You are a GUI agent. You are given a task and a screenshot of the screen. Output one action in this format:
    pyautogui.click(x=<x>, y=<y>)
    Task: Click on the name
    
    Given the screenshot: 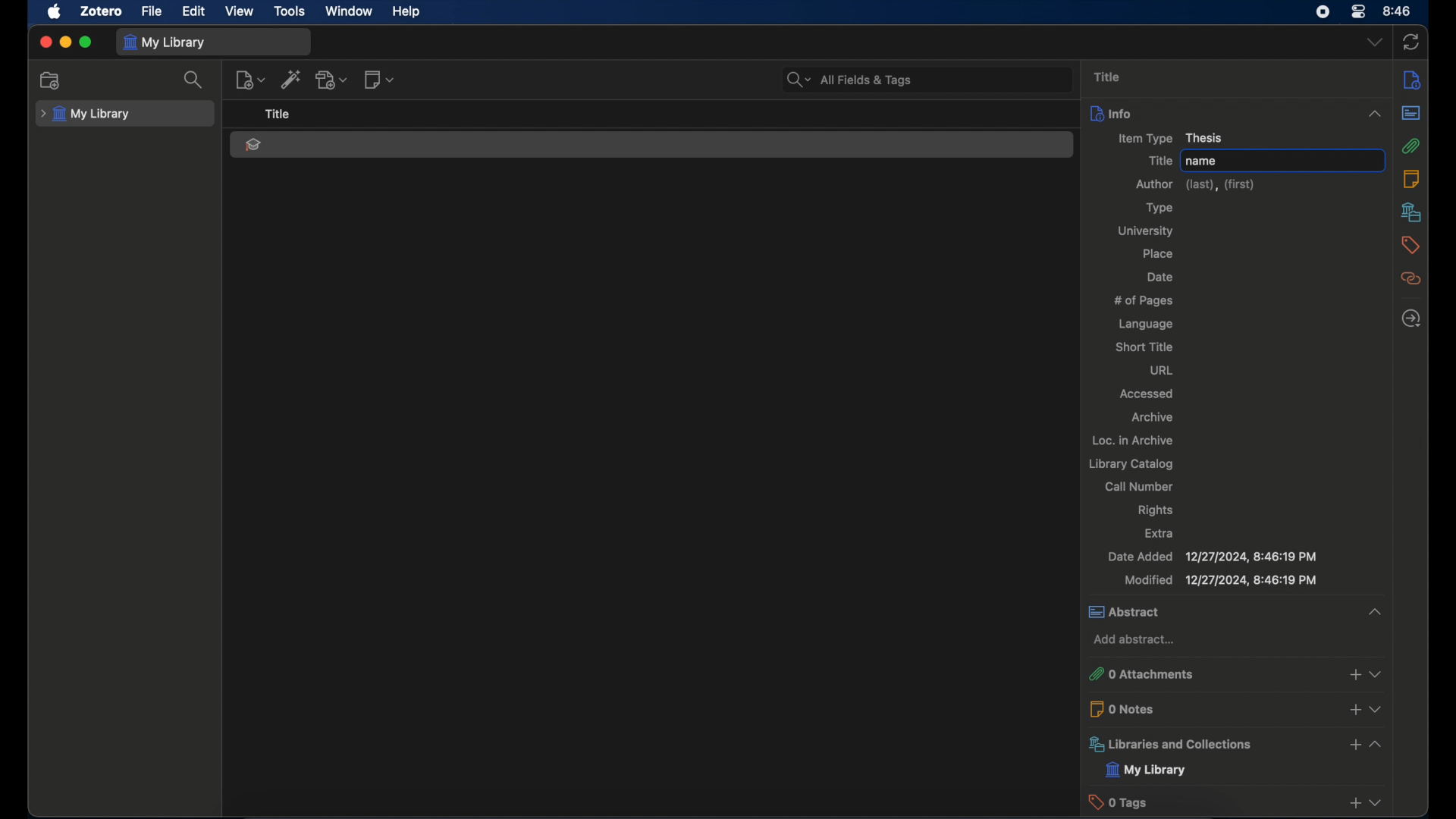 What is the action you would take?
    pyautogui.click(x=1203, y=161)
    